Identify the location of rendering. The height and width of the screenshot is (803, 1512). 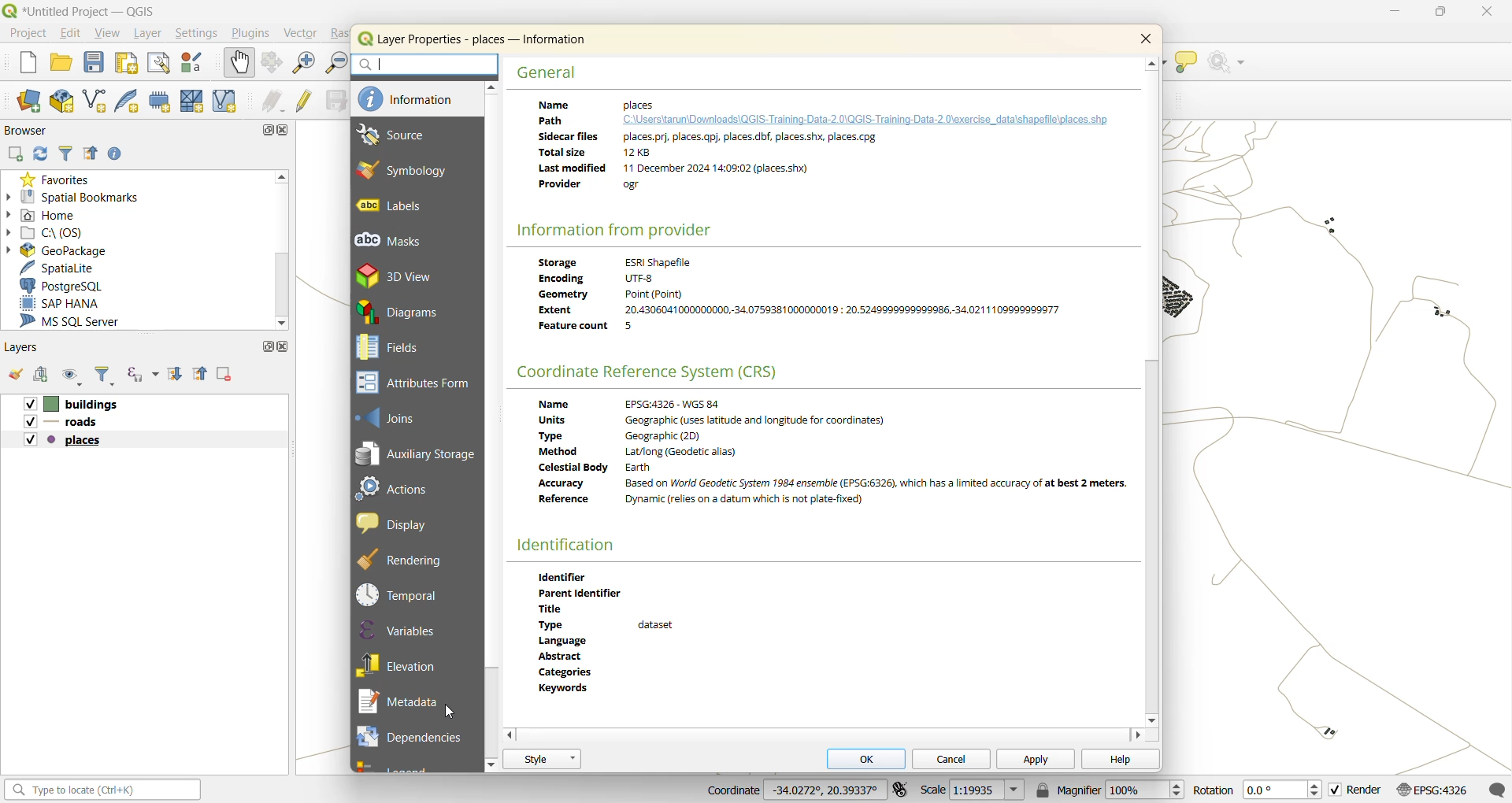
(402, 558).